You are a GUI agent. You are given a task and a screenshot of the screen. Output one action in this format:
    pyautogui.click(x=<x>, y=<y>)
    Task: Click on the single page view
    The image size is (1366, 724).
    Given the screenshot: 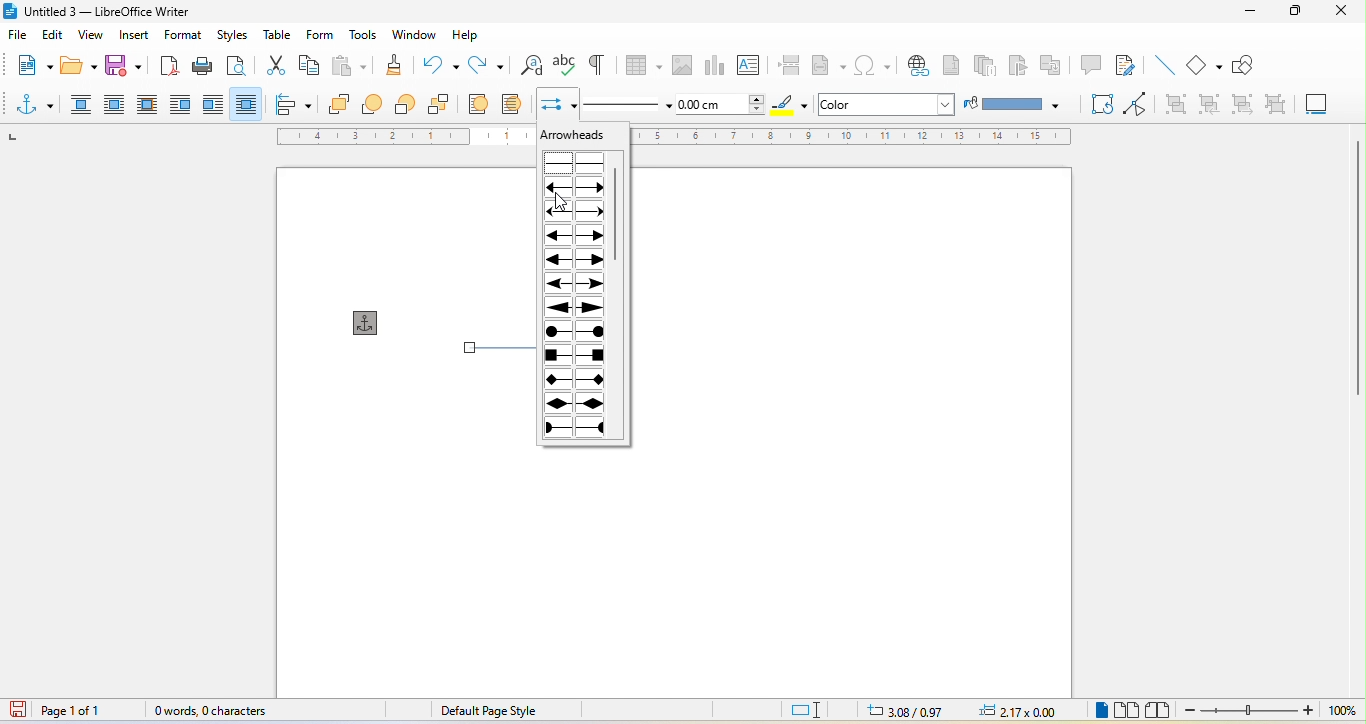 What is the action you would take?
    pyautogui.click(x=1098, y=712)
    